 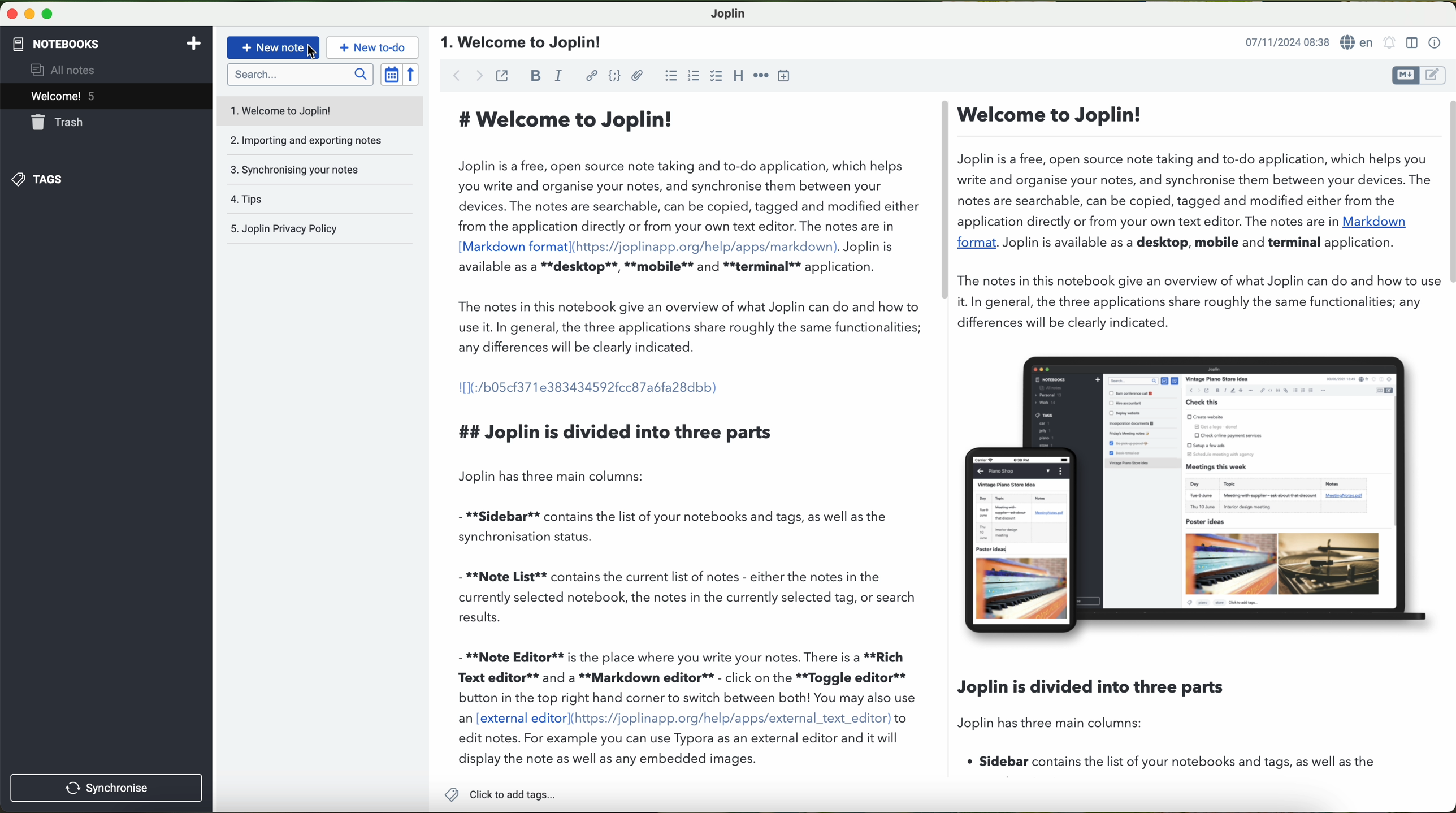 What do you see at coordinates (727, 14) in the screenshot?
I see `Joplin` at bounding box center [727, 14].